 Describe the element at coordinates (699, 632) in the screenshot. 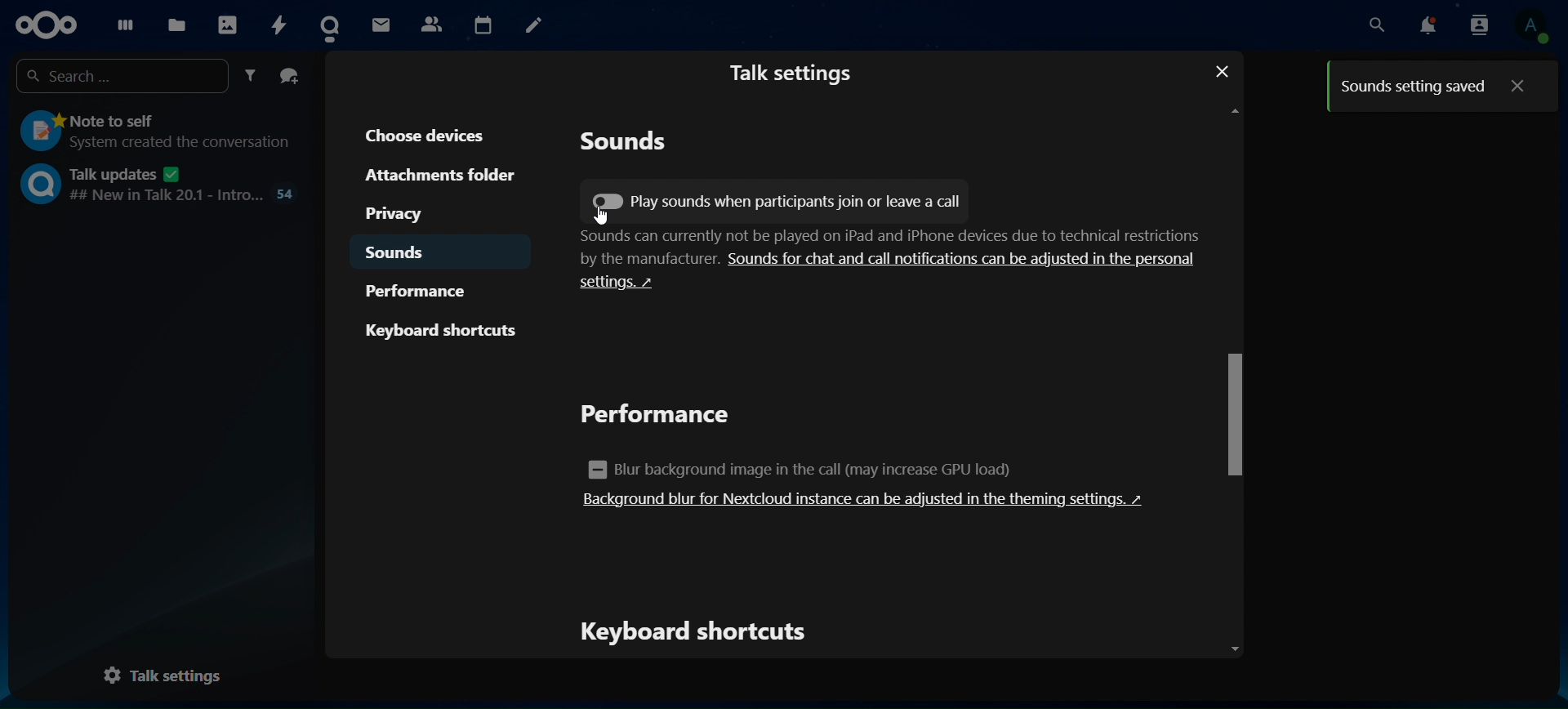

I see `keyboard shortcuts` at that location.